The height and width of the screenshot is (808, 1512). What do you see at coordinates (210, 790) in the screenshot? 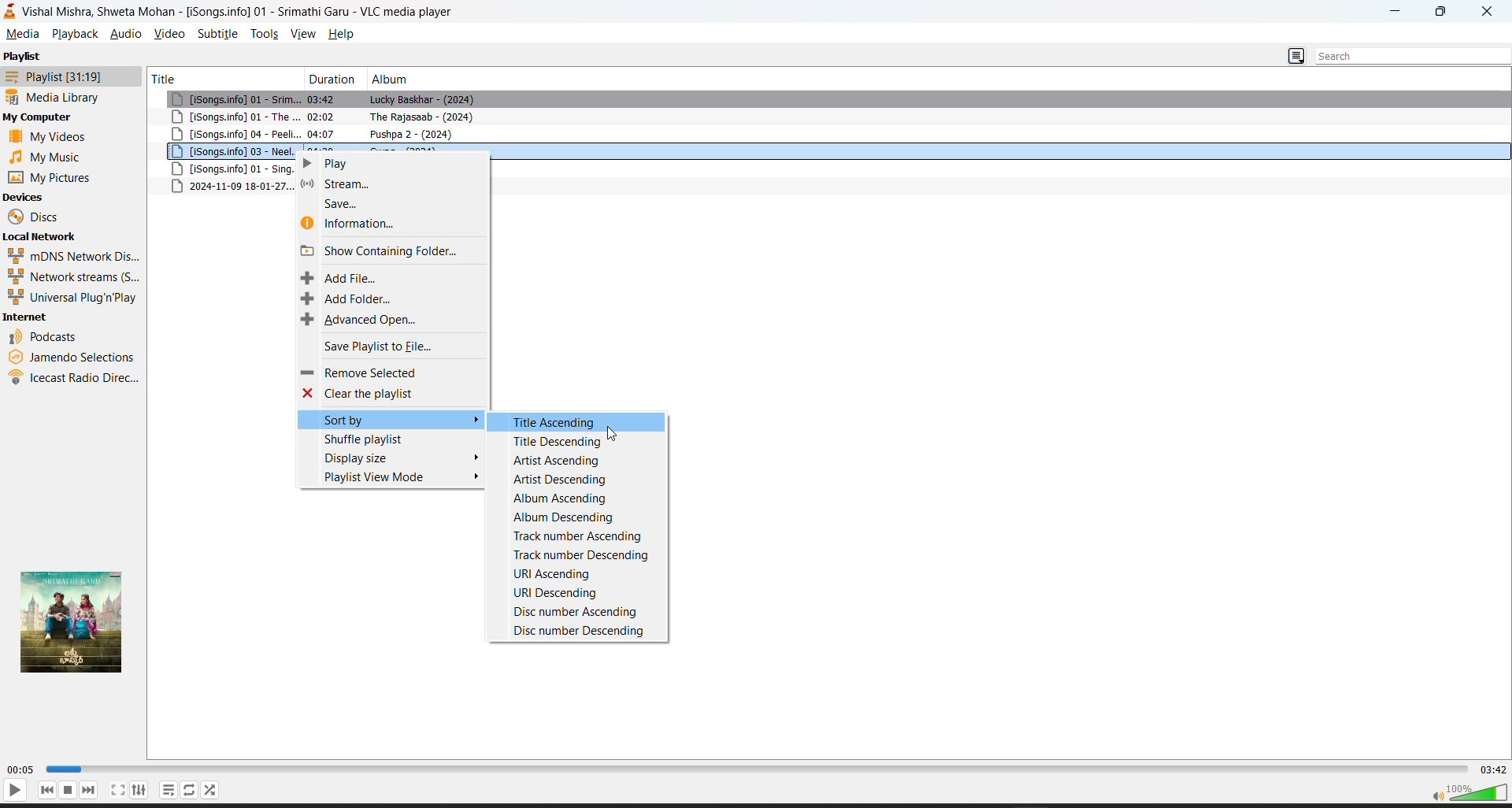
I see `random` at bounding box center [210, 790].